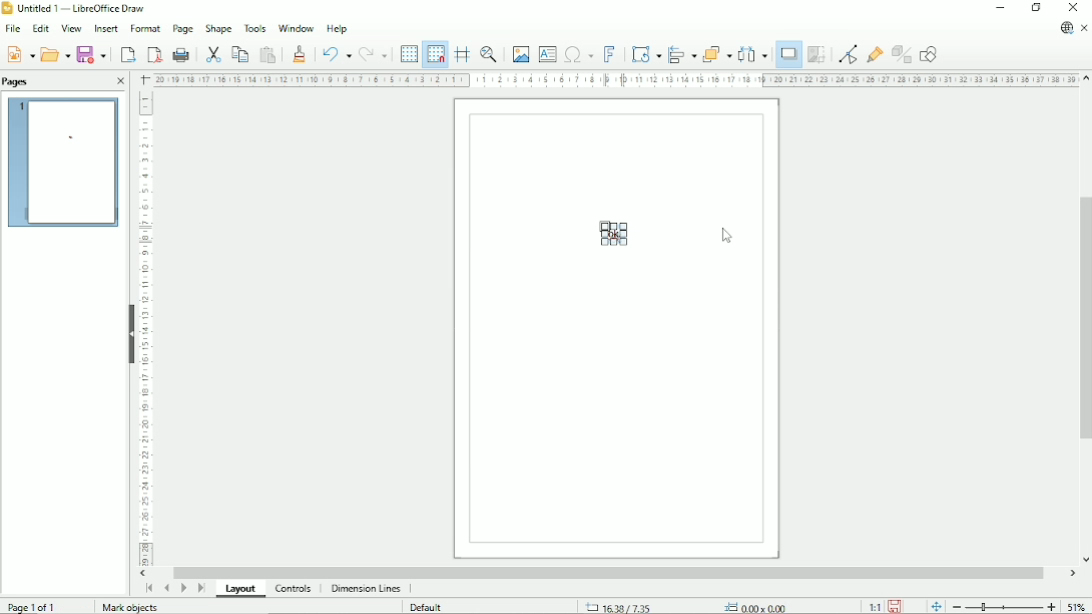 Image resolution: width=1092 pixels, height=614 pixels. I want to click on Close, so click(120, 81).